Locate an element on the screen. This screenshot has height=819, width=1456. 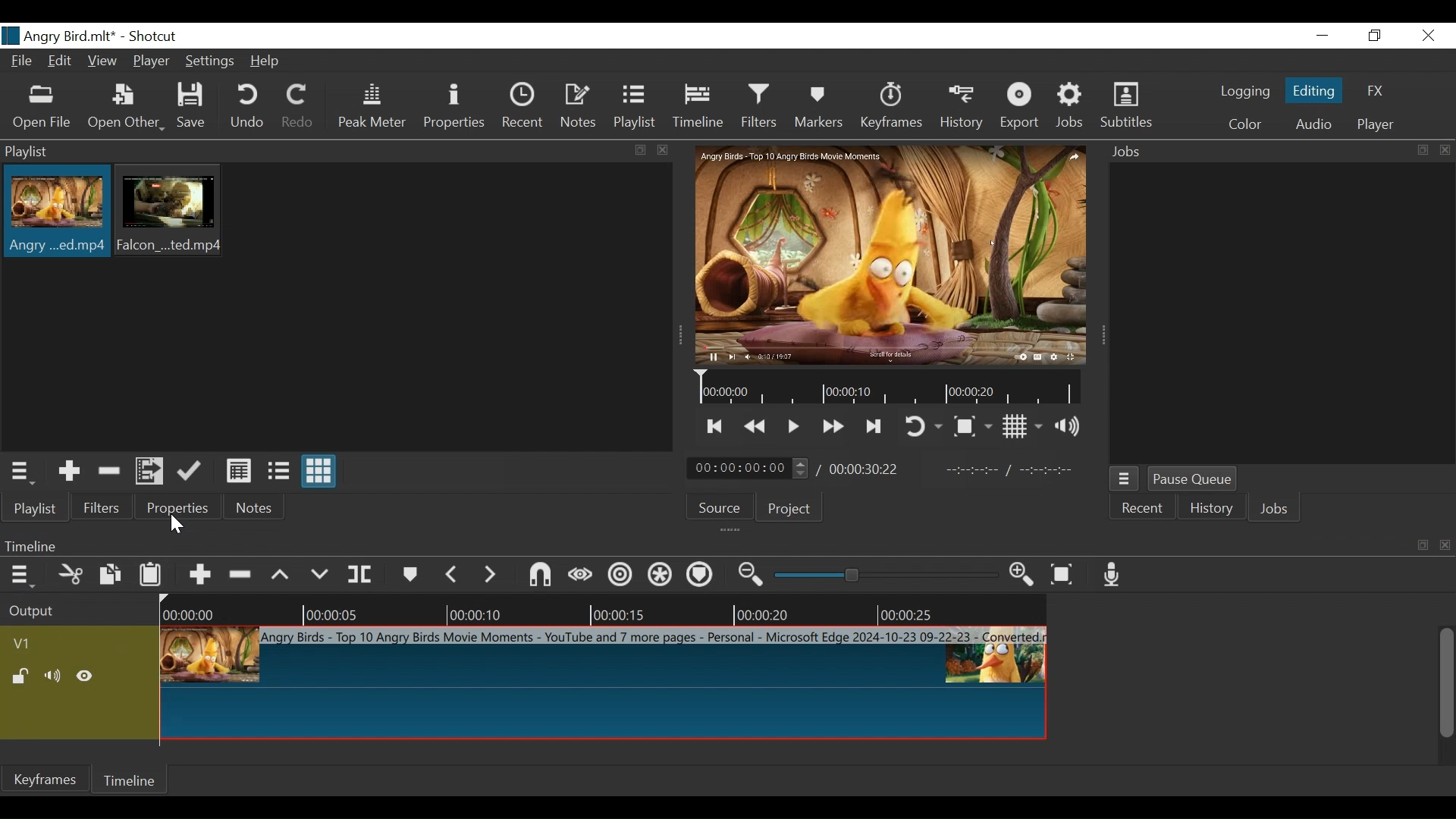
Redo is located at coordinates (297, 108).